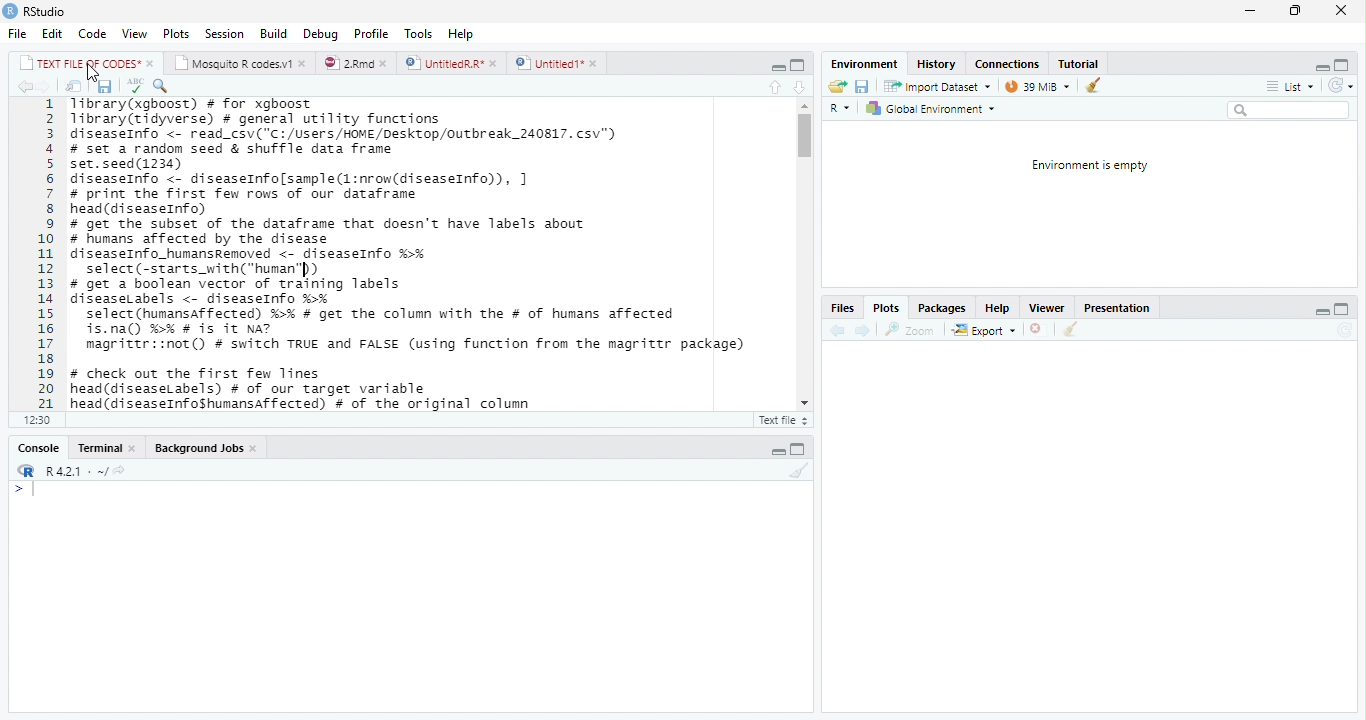 Image resolution: width=1366 pixels, height=720 pixels. I want to click on Compile Report, so click(301, 85).